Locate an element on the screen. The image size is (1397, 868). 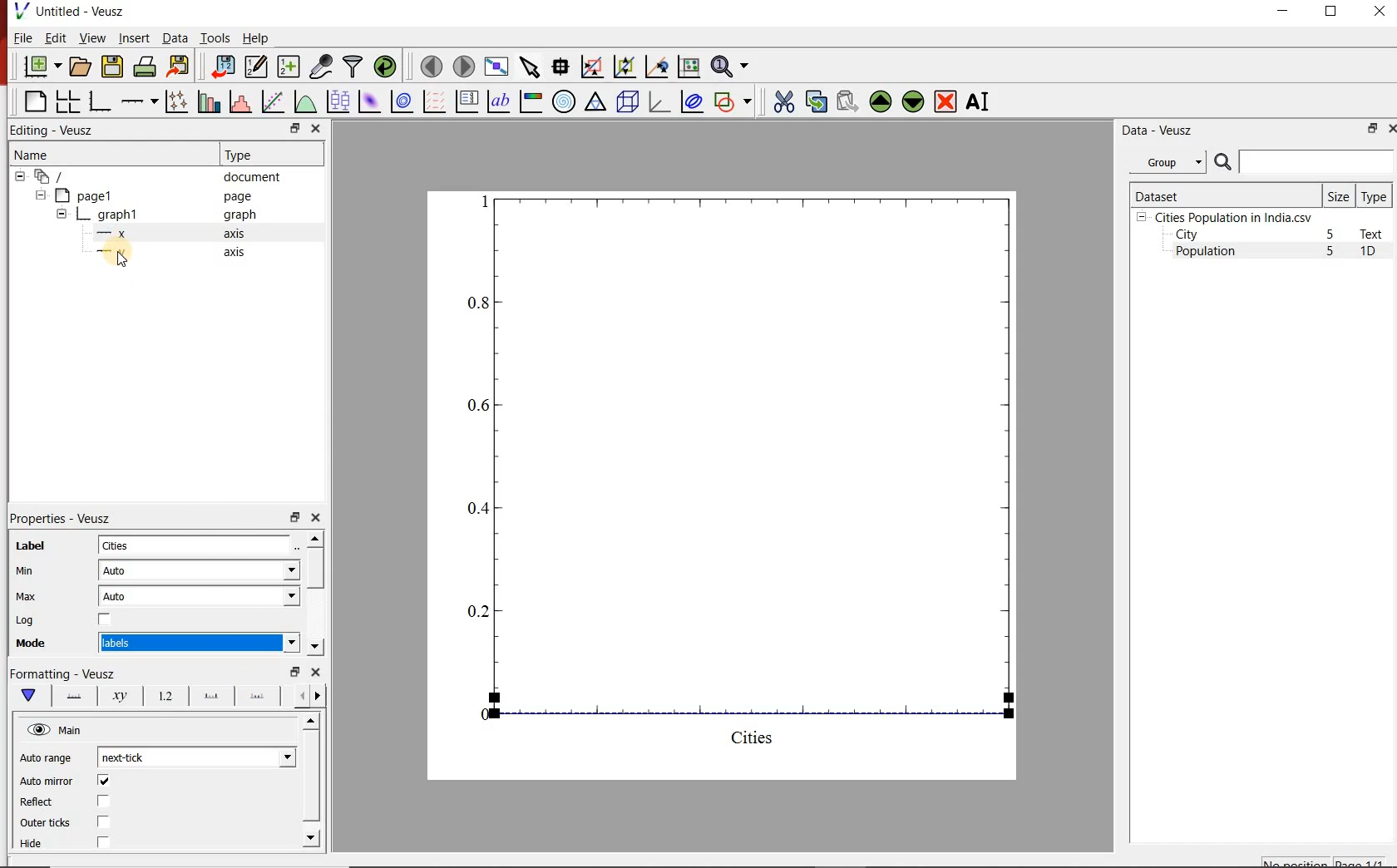
Log is located at coordinates (27, 621).